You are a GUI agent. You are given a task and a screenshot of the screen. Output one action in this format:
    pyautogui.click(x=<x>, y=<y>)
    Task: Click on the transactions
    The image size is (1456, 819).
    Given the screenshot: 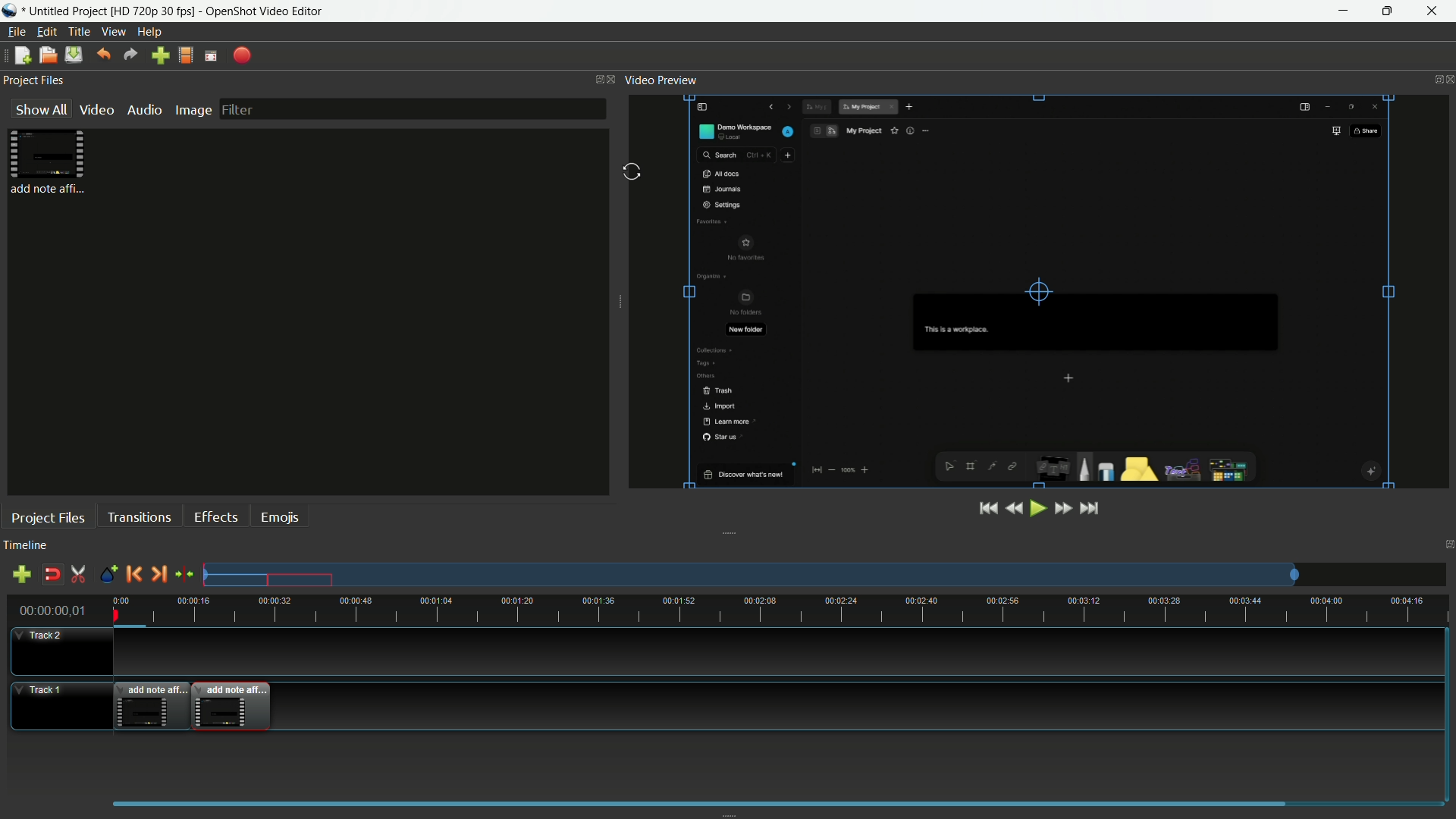 What is the action you would take?
    pyautogui.click(x=139, y=516)
    